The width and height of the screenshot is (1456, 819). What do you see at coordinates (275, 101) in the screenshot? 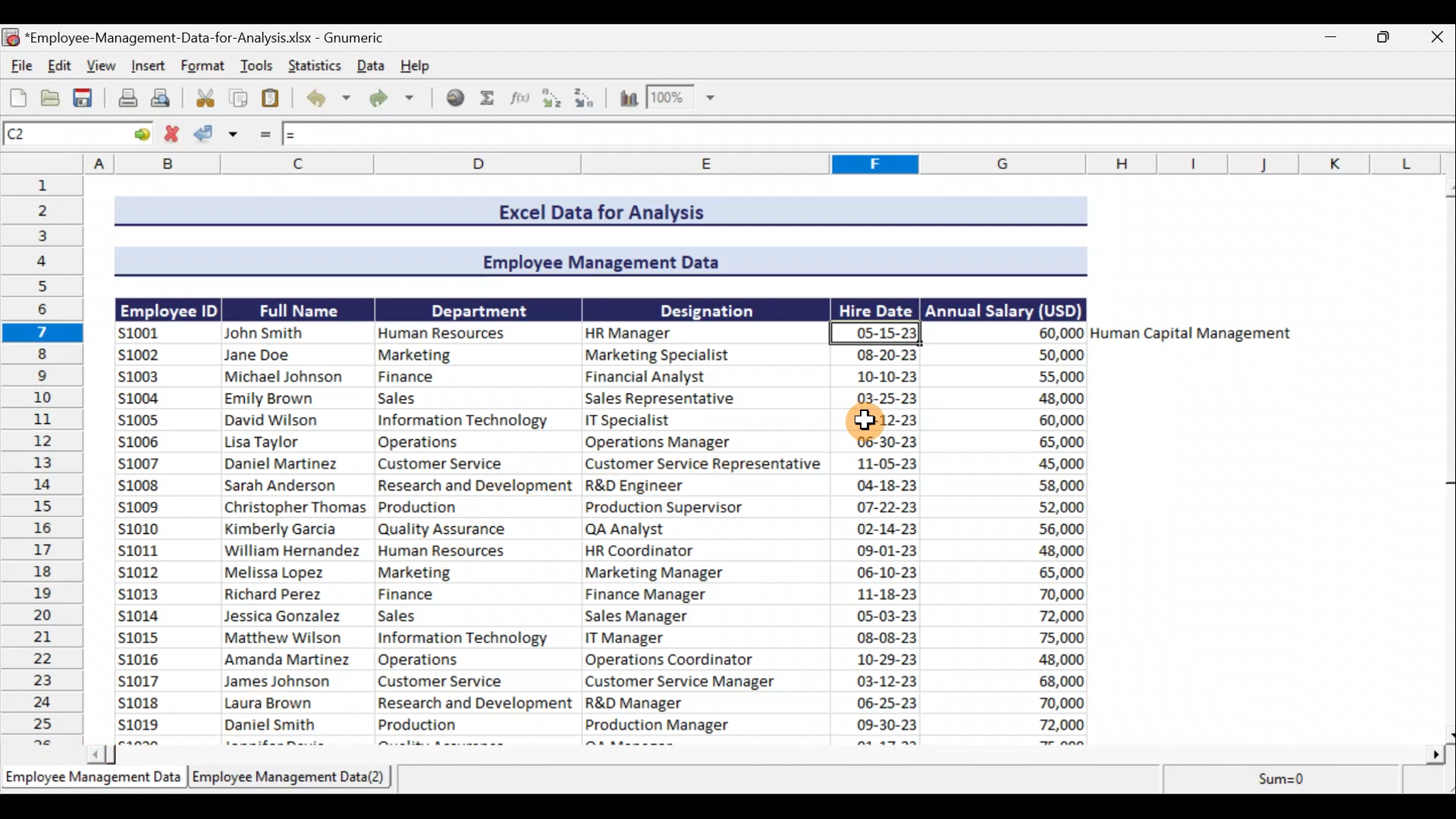
I see `Paste clipboard` at bounding box center [275, 101].